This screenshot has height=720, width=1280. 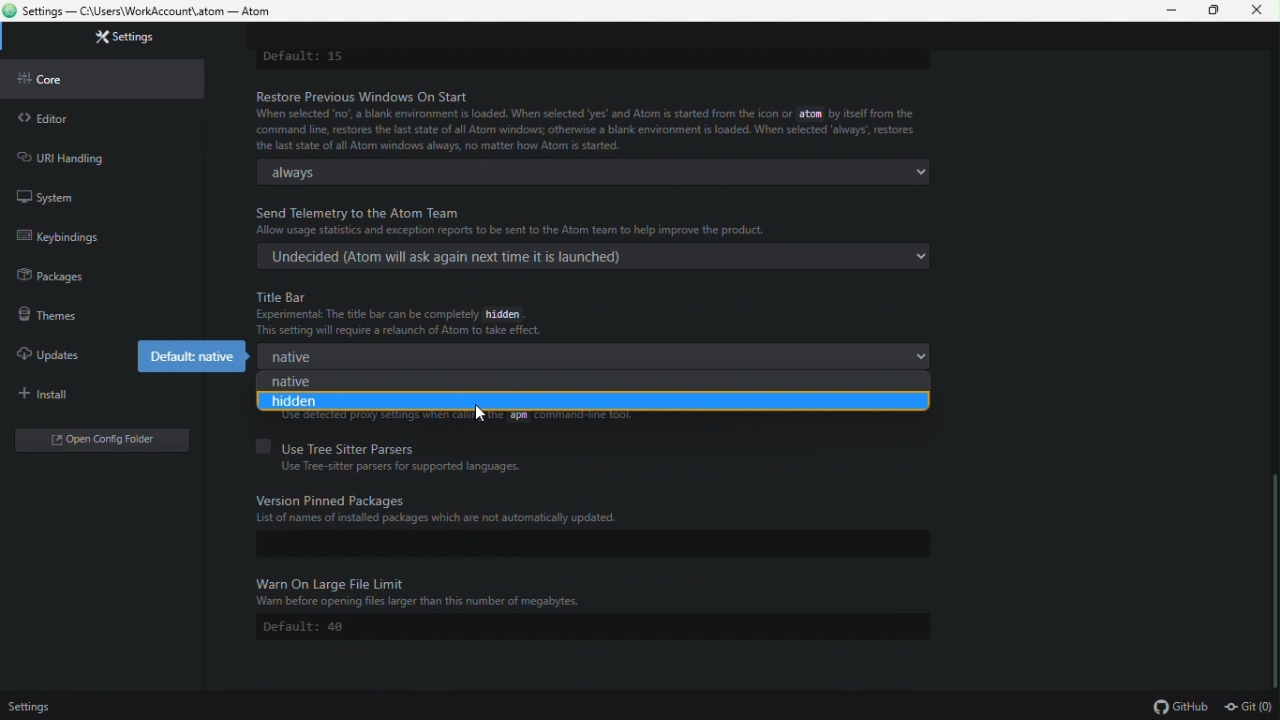 What do you see at coordinates (596, 356) in the screenshot?
I see `native` at bounding box center [596, 356].